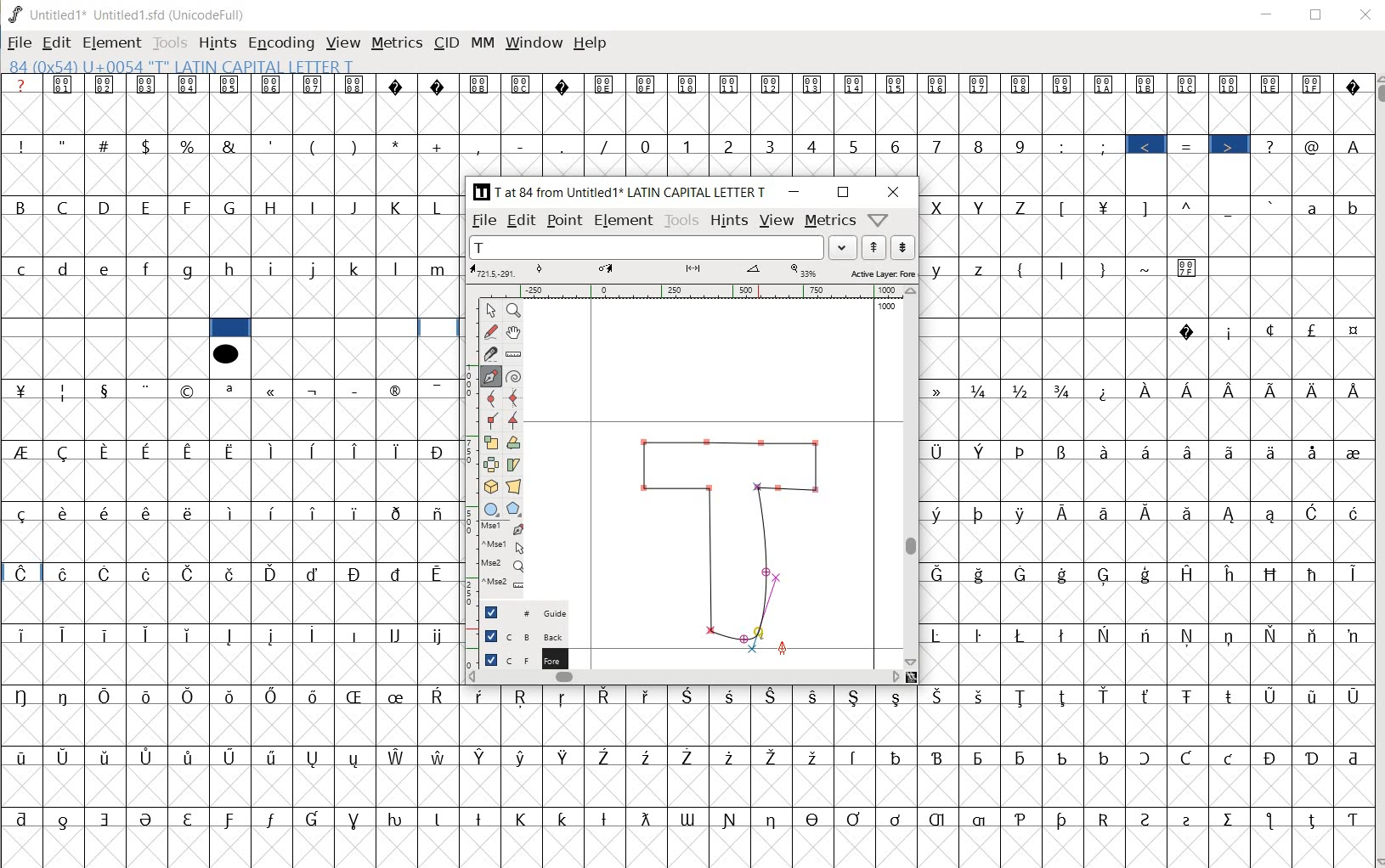  I want to click on Symbol, so click(1148, 451).